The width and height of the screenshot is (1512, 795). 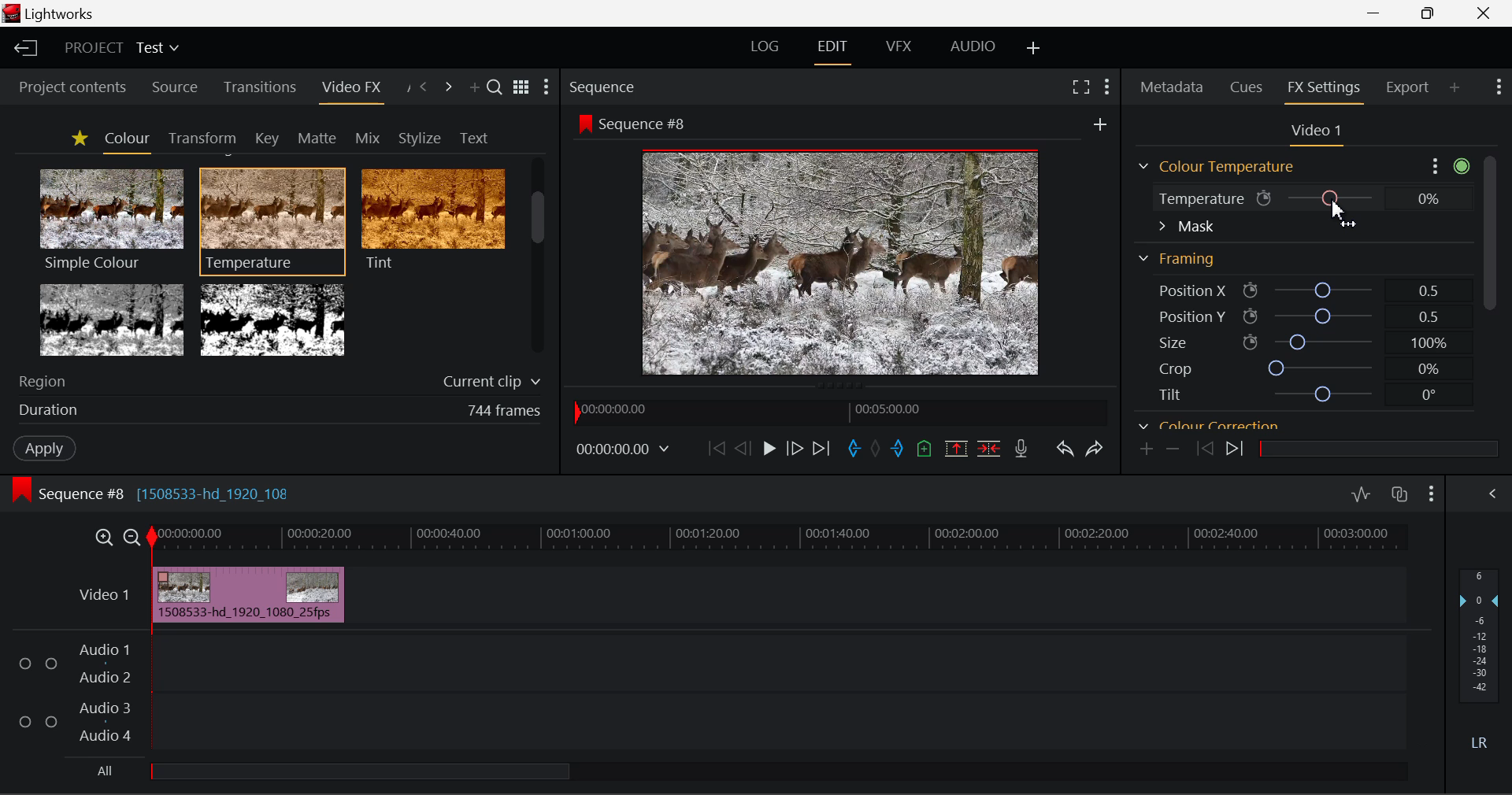 What do you see at coordinates (897, 48) in the screenshot?
I see `VFX Layout` at bounding box center [897, 48].